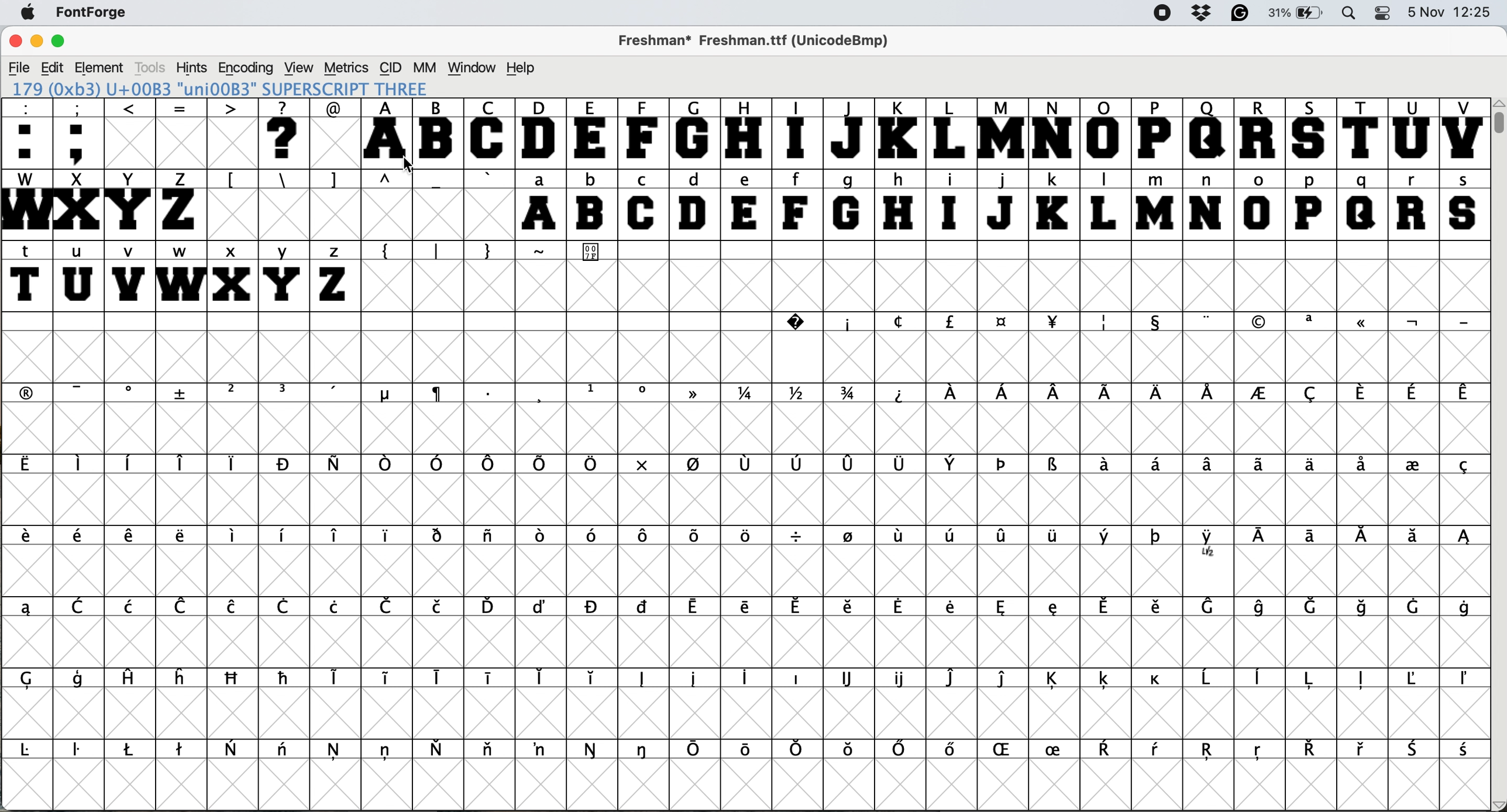 The height and width of the screenshot is (812, 1507). I want to click on symbol, so click(1464, 394).